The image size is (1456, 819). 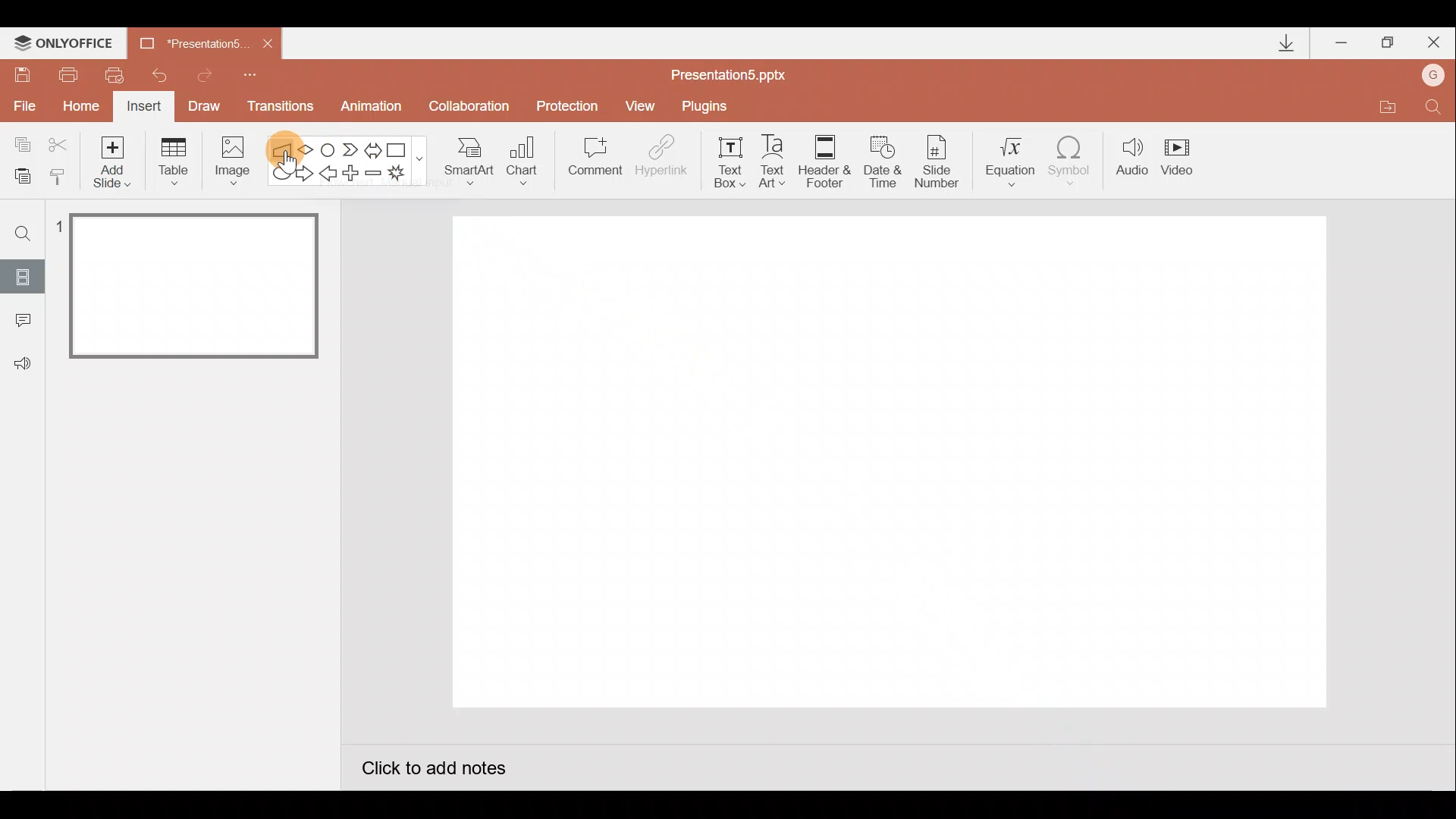 What do you see at coordinates (77, 102) in the screenshot?
I see `Home` at bounding box center [77, 102].